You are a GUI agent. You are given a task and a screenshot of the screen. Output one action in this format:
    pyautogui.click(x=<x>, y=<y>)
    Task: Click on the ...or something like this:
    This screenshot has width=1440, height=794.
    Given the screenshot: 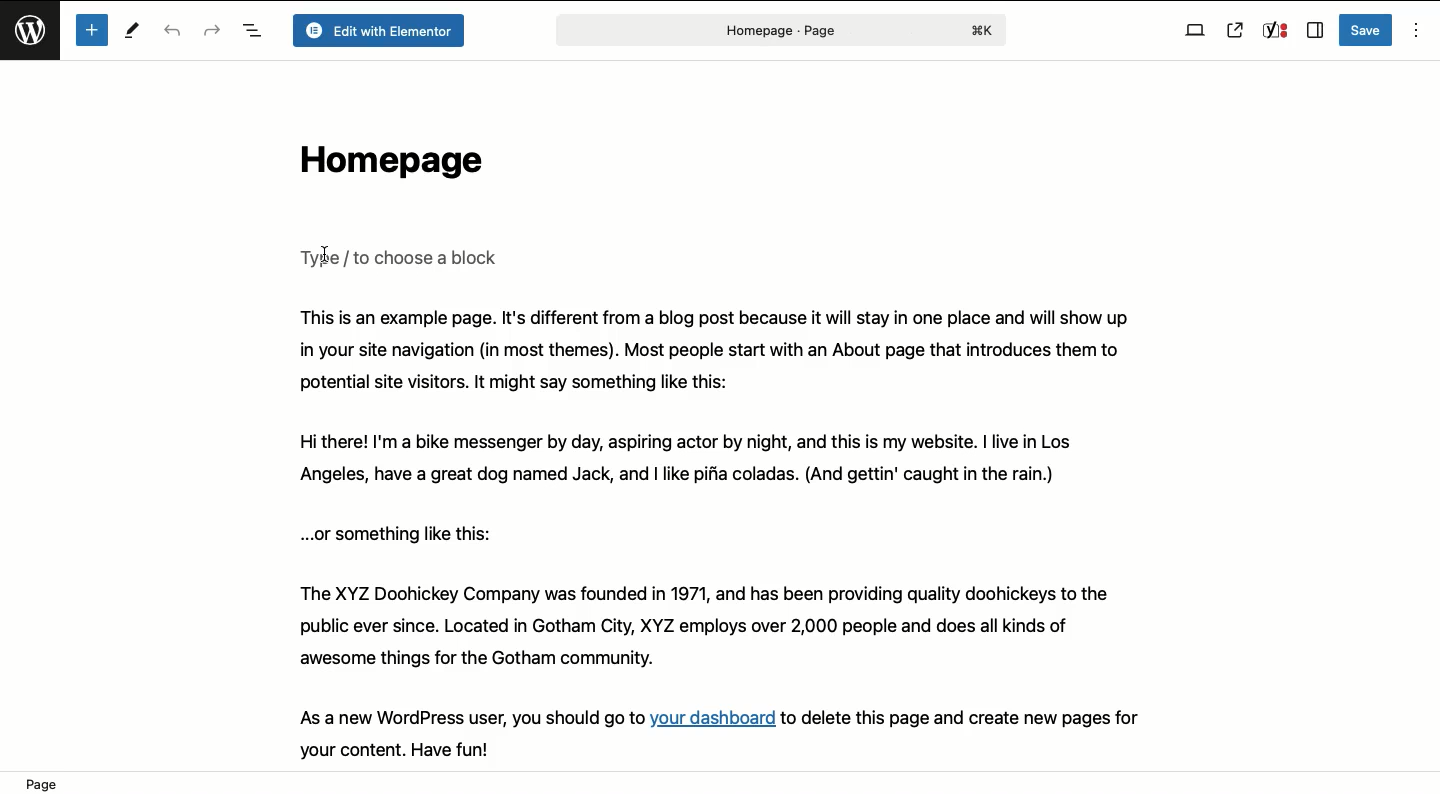 What is the action you would take?
    pyautogui.click(x=404, y=533)
    